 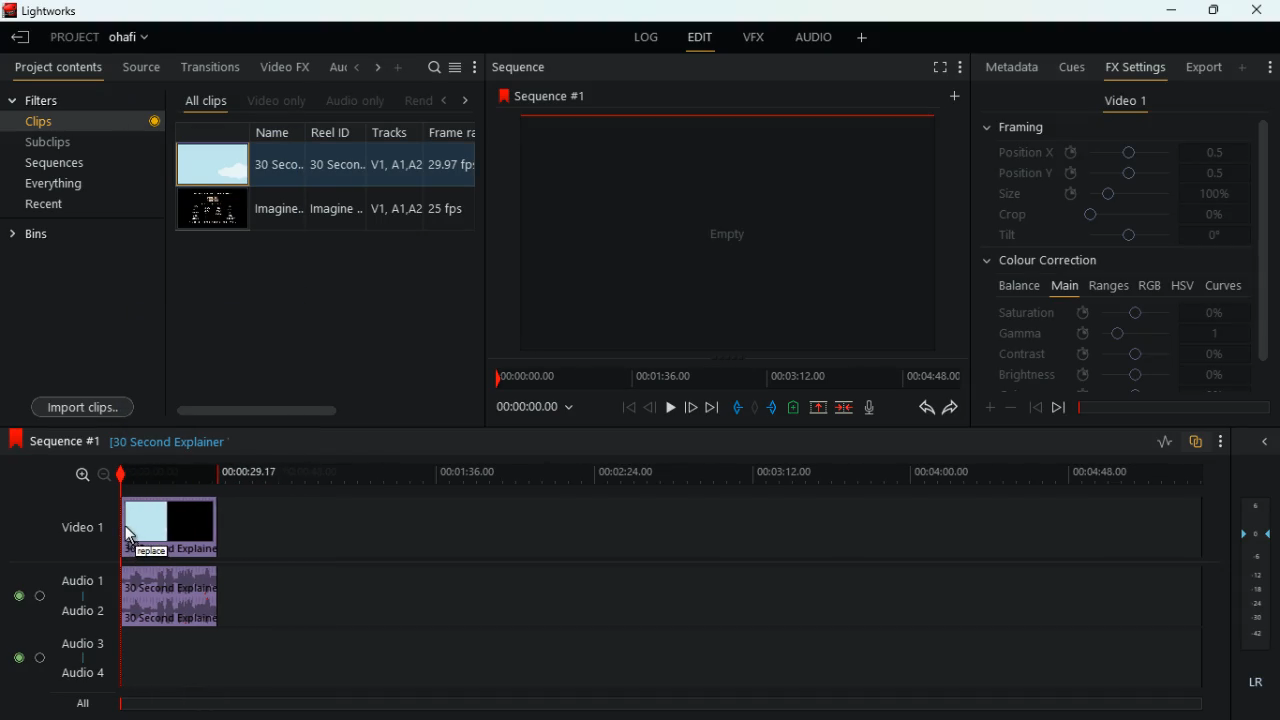 What do you see at coordinates (988, 407) in the screenshot?
I see `more` at bounding box center [988, 407].